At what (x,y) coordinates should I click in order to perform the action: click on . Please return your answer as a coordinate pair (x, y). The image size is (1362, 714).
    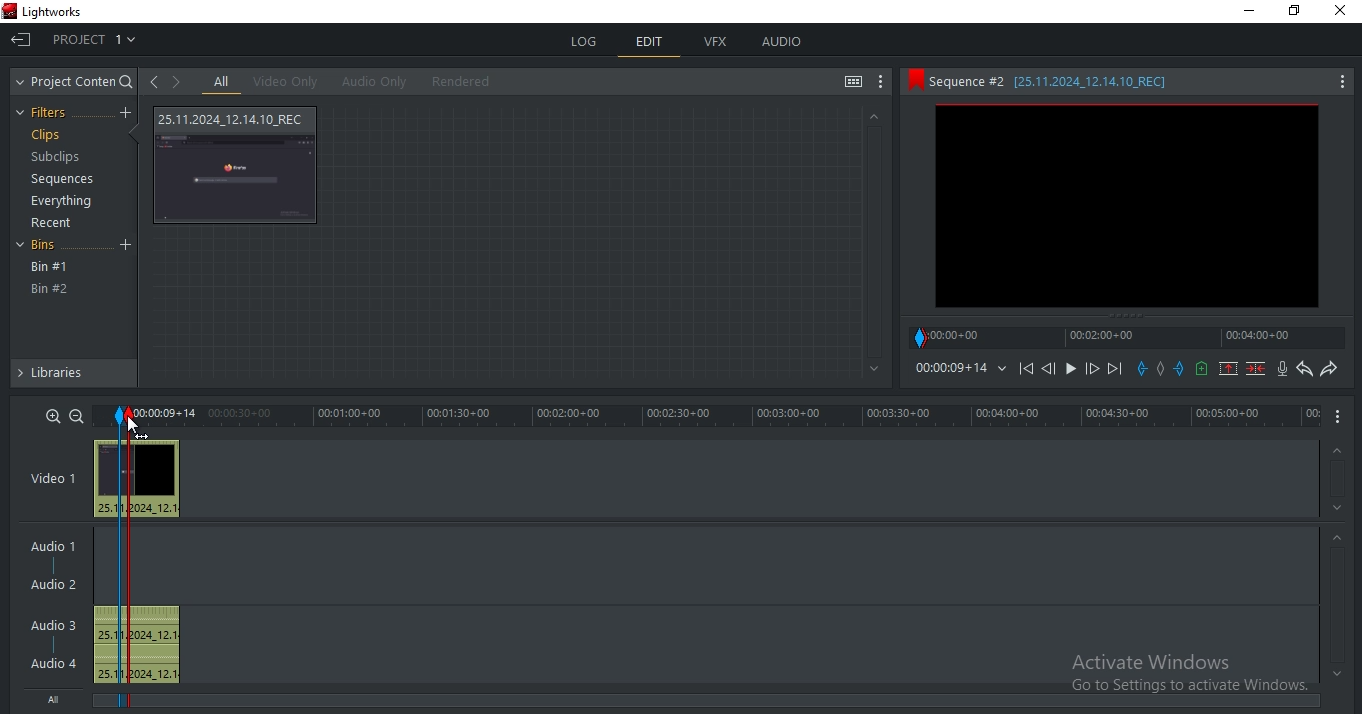
    Looking at the image, I should click on (176, 83).